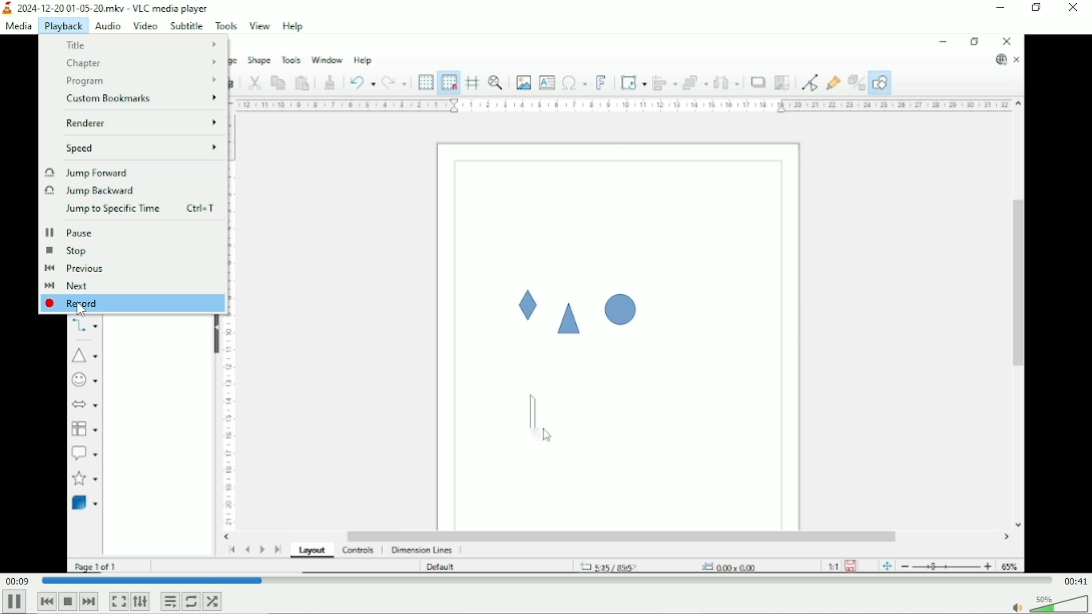 This screenshot has width=1092, height=614. Describe the element at coordinates (14, 602) in the screenshot. I see `Pause` at that location.